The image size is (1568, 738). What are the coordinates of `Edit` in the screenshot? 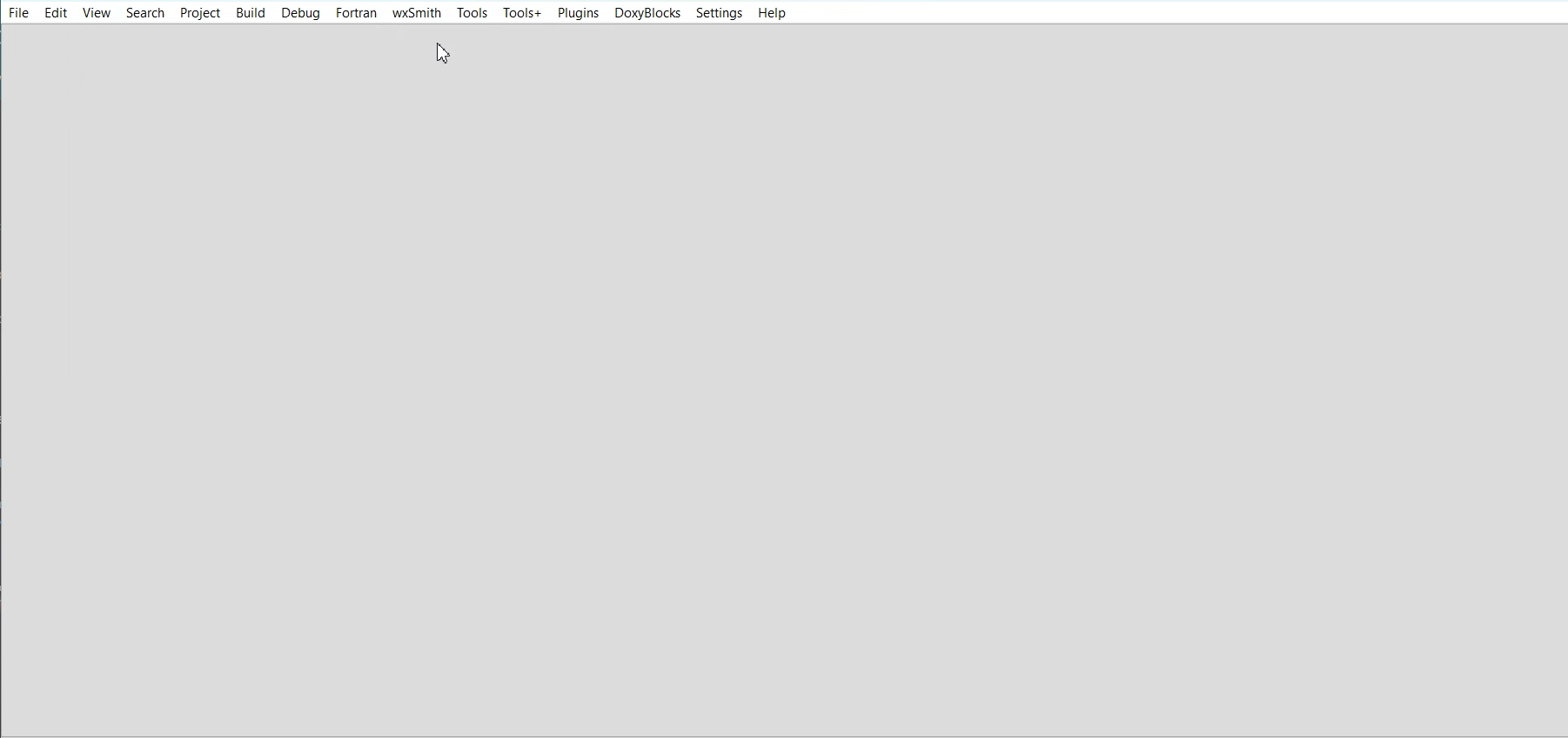 It's located at (56, 12).